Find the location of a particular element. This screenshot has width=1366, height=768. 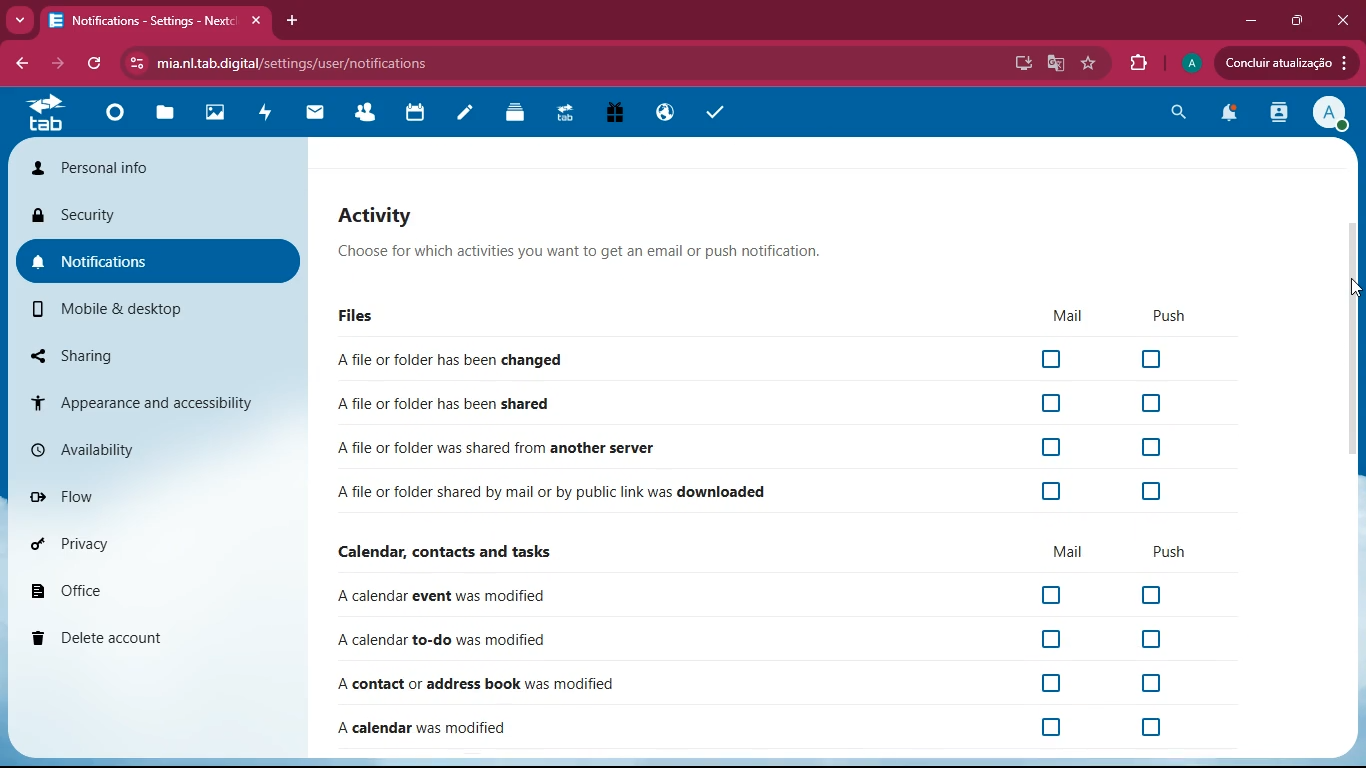

Mail is located at coordinates (1058, 315).